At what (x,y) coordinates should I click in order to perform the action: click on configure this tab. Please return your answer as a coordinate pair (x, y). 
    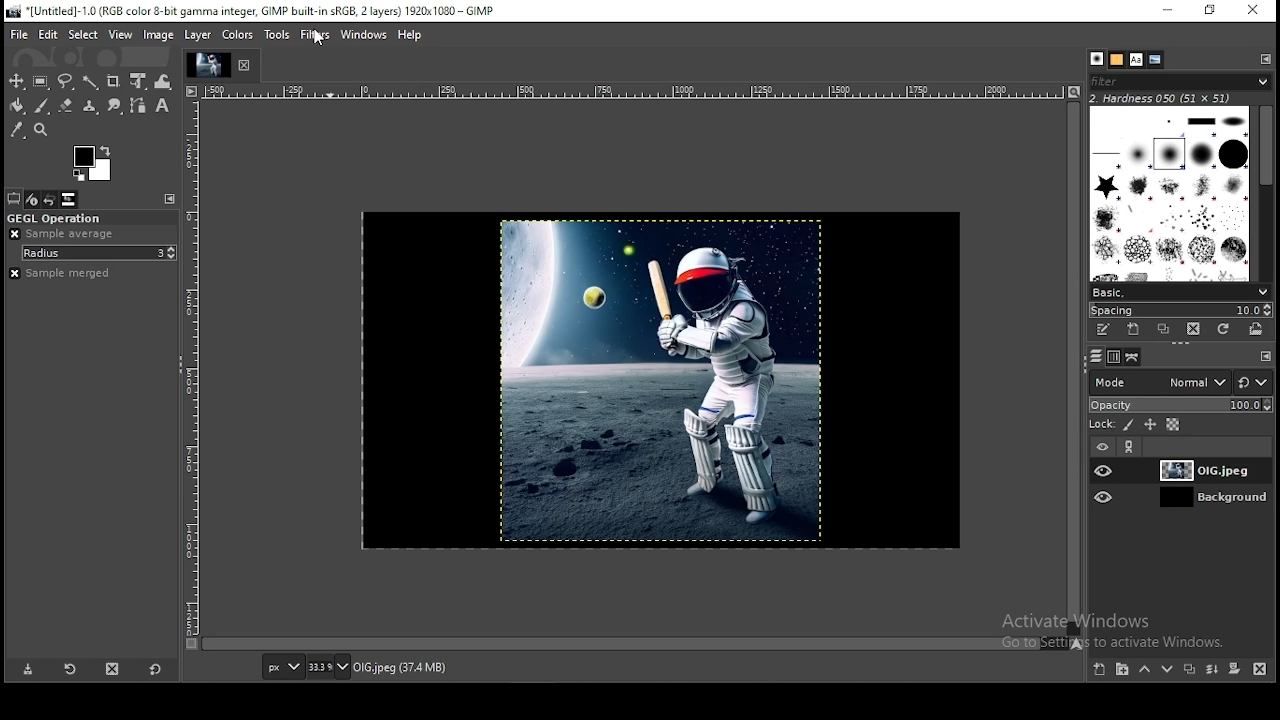
    Looking at the image, I should click on (1266, 354).